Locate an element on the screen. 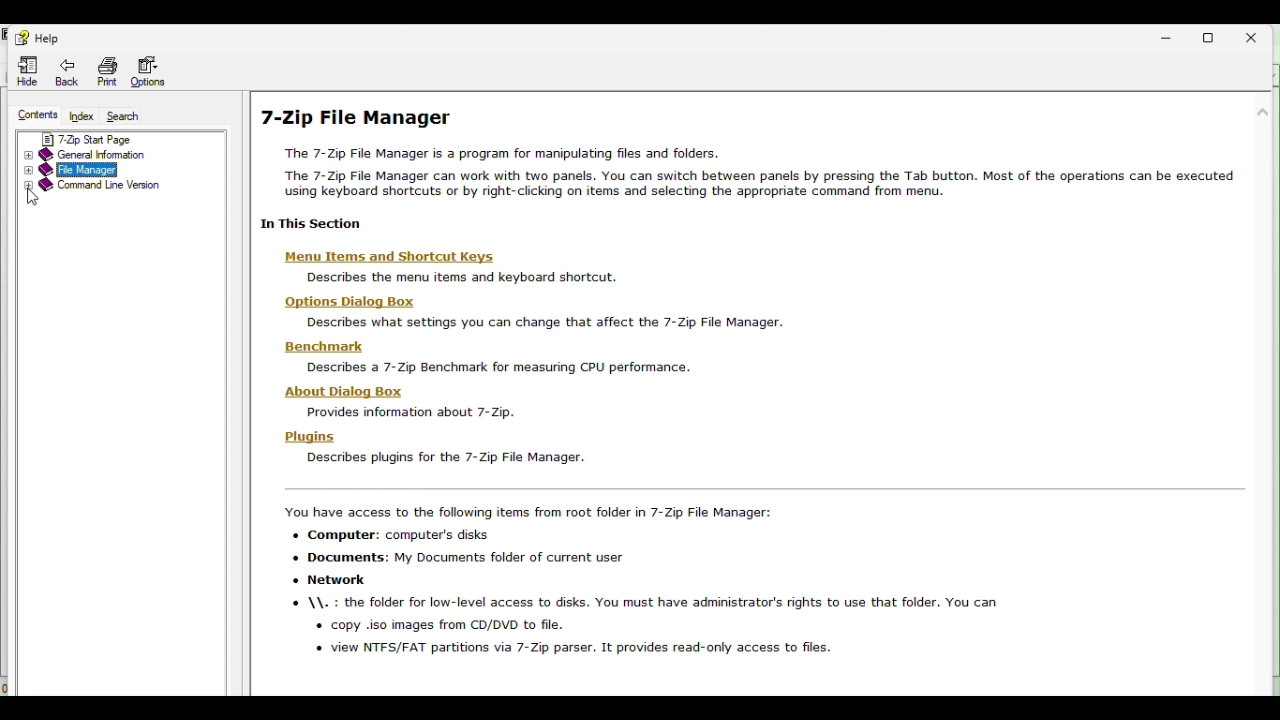  Hons Dia is located at coordinates (340, 301).